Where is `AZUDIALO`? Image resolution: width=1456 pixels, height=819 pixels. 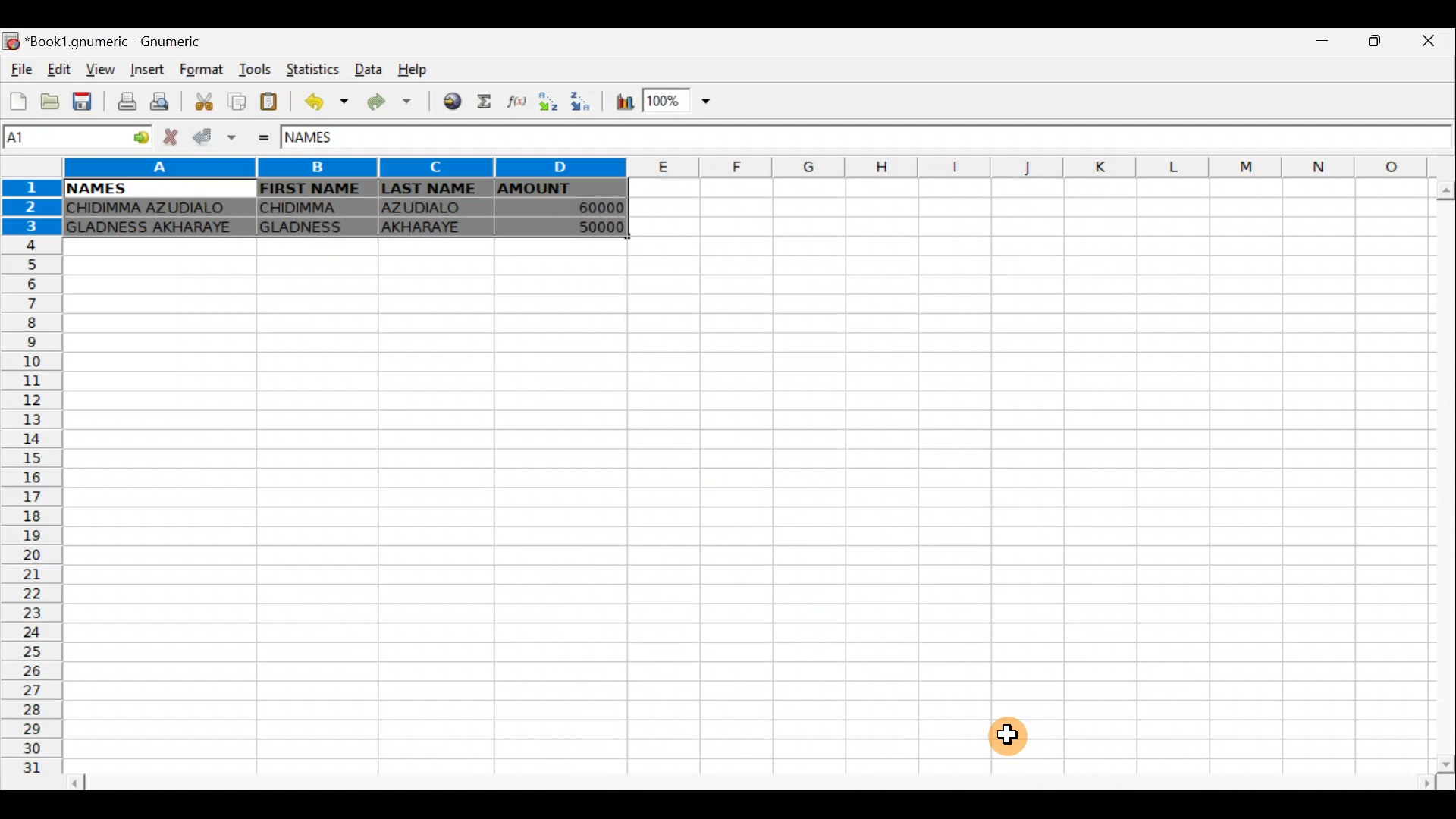 AZUDIALO is located at coordinates (429, 229).